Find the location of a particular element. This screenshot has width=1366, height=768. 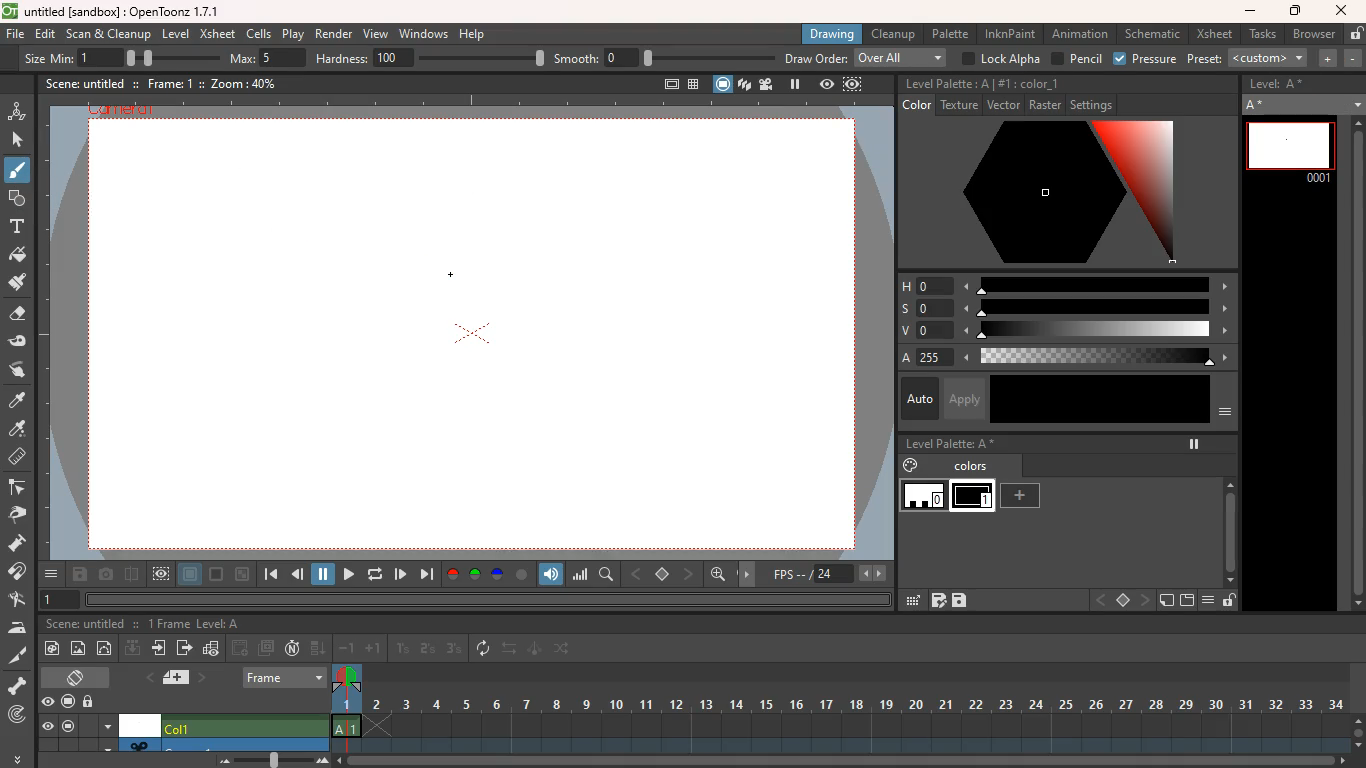

refresh is located at coordinates (372, 574).